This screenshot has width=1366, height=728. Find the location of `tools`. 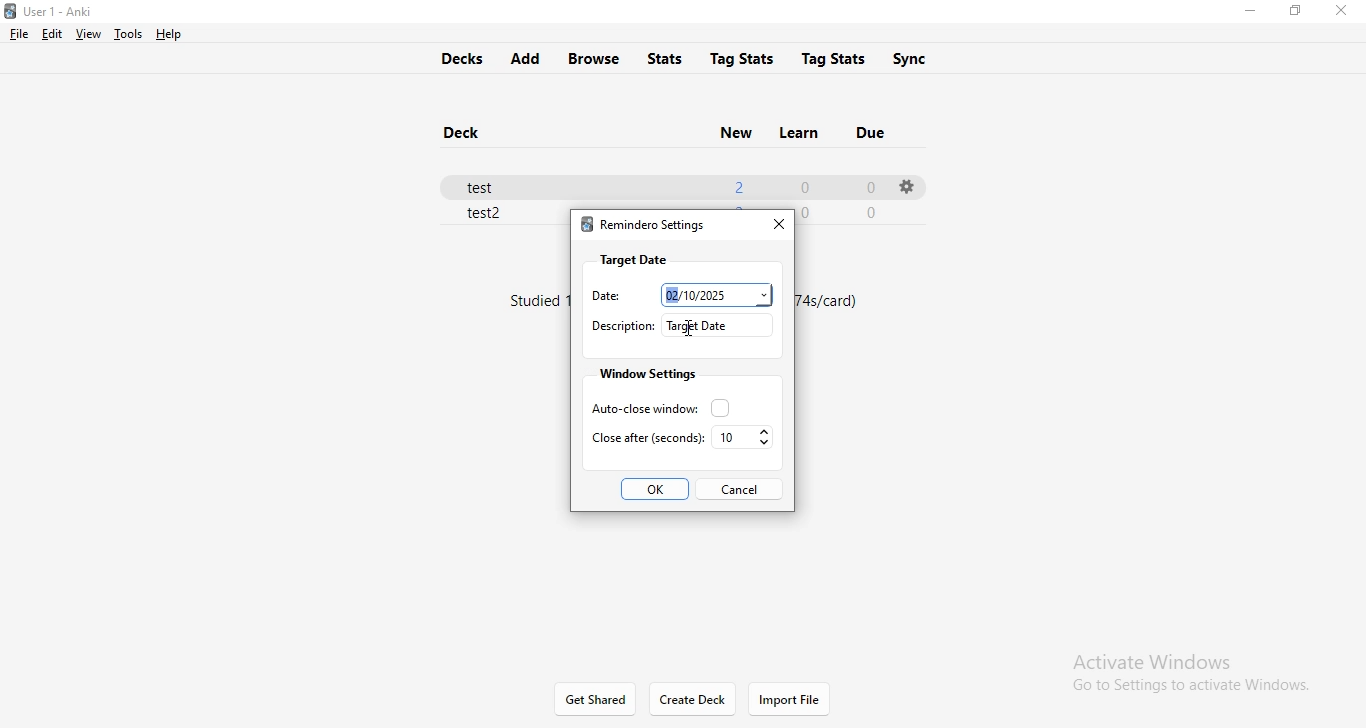

tools is located at coordinates (125, 34).